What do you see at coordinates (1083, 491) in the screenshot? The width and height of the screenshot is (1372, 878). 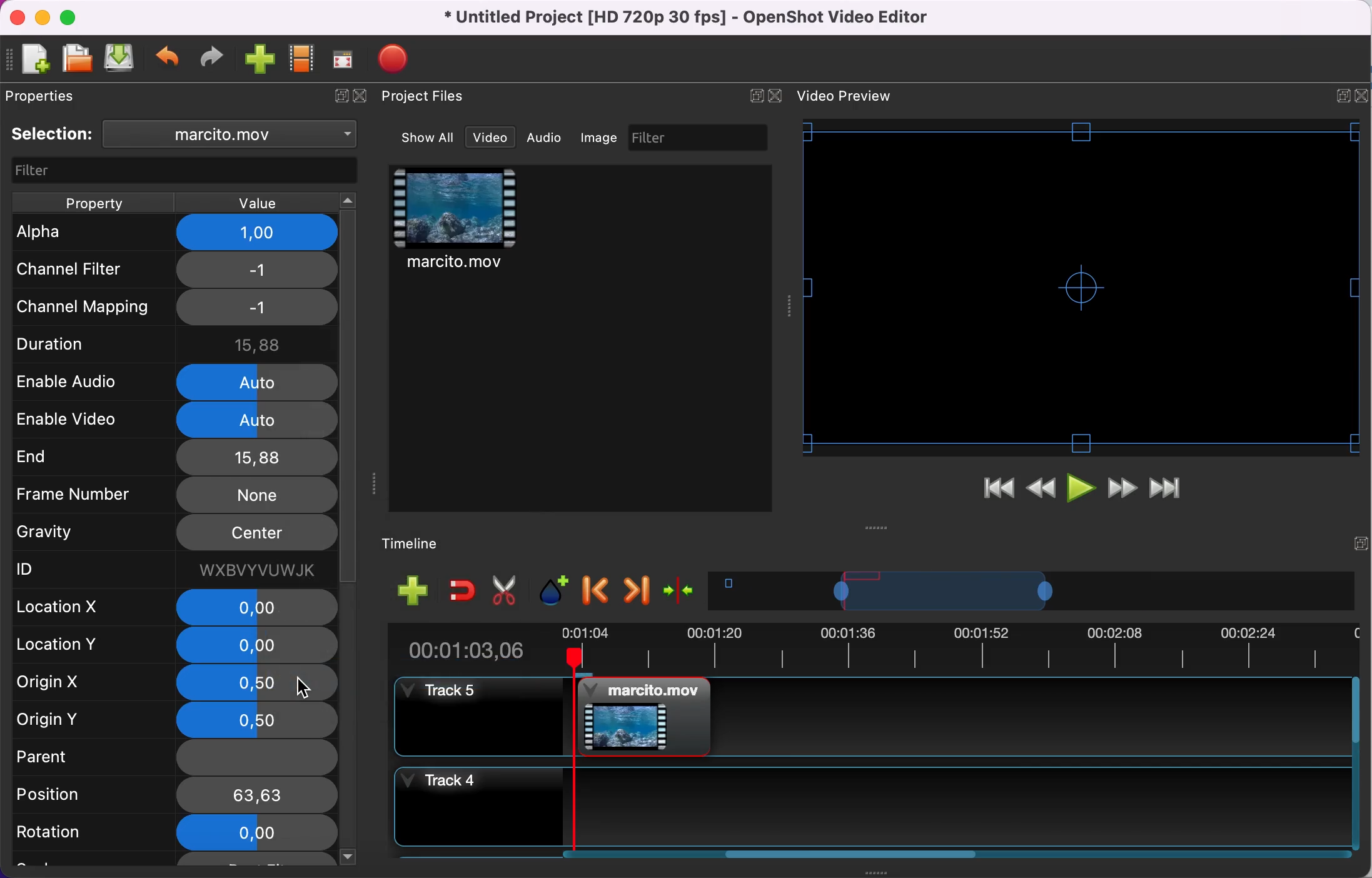 I see `play` at bounding box center [1083, 491].